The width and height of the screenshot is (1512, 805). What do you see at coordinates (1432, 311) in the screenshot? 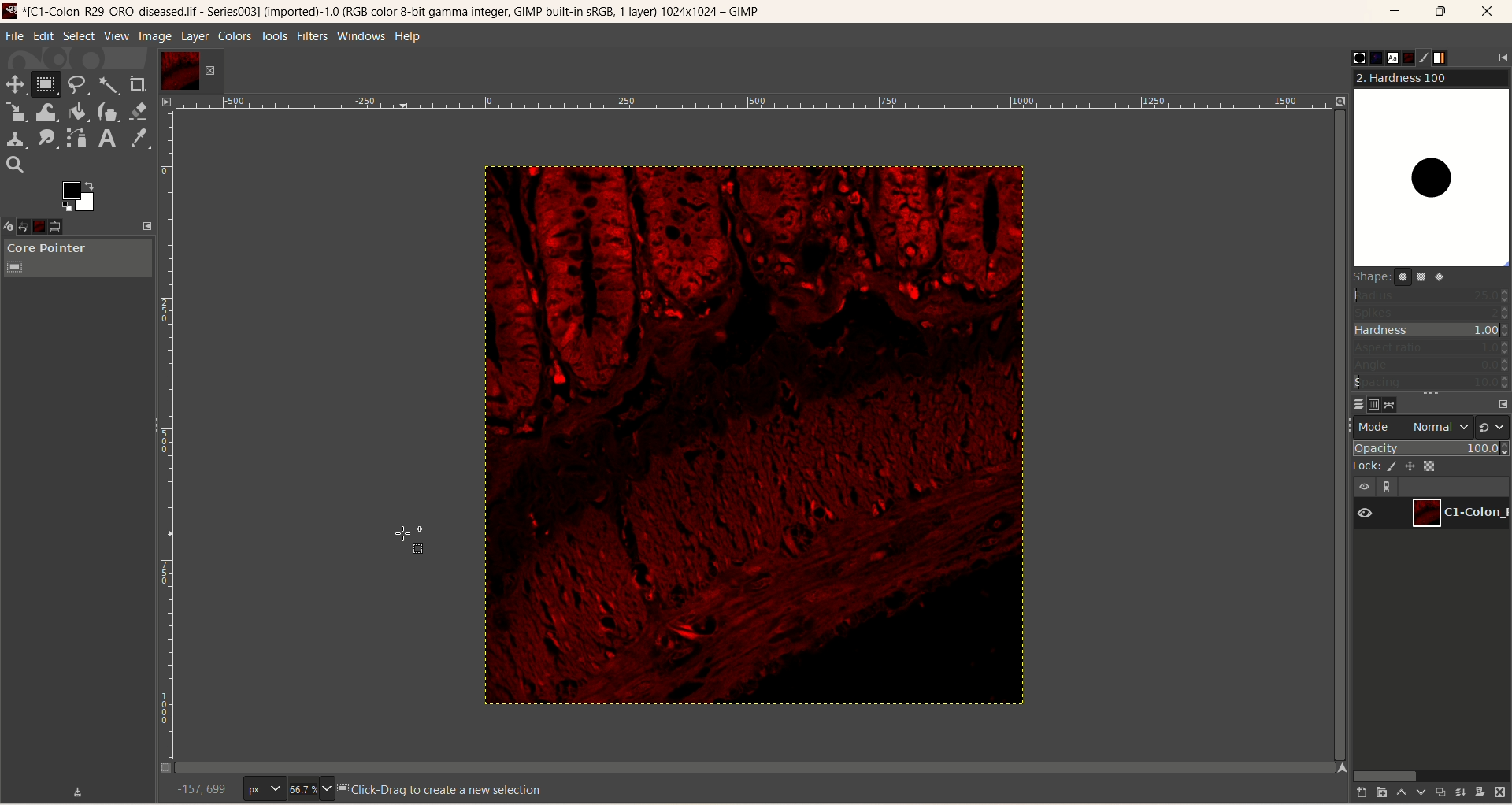
I see `spikes` at bounding box center [1432, 311].